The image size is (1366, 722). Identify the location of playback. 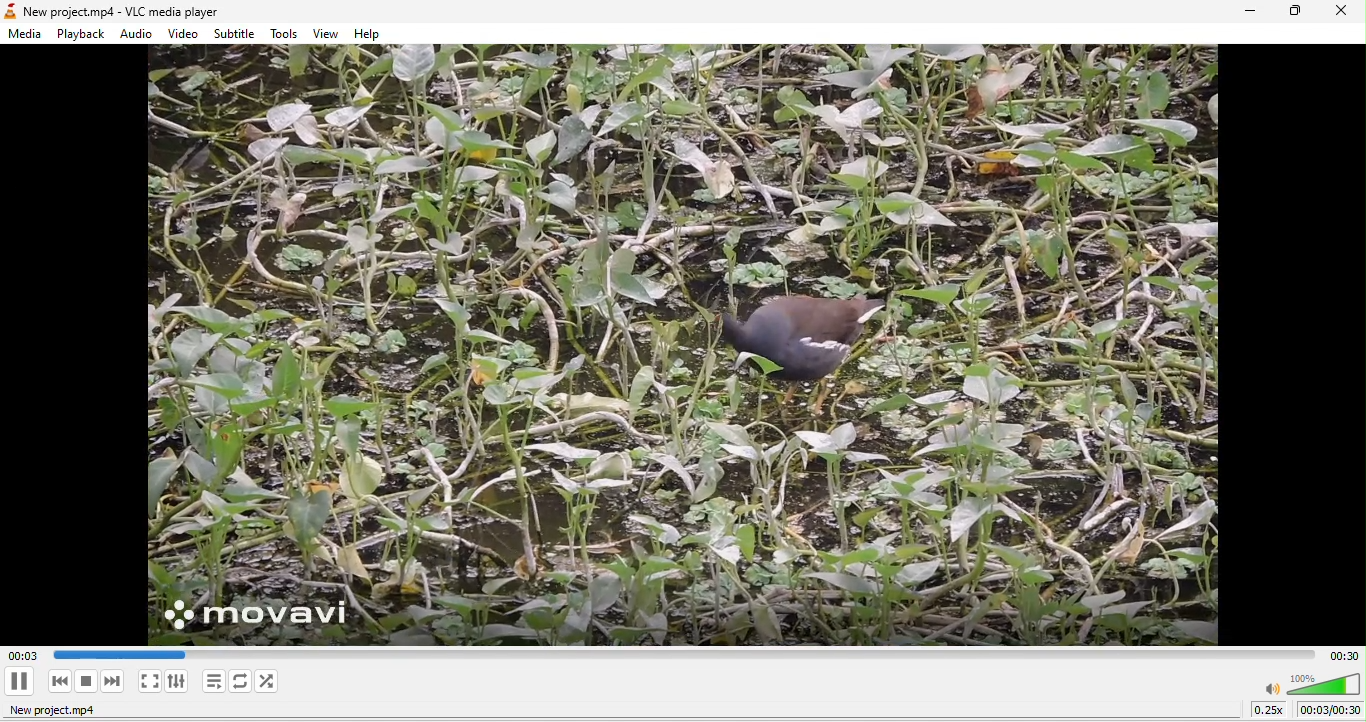
(82, 32).